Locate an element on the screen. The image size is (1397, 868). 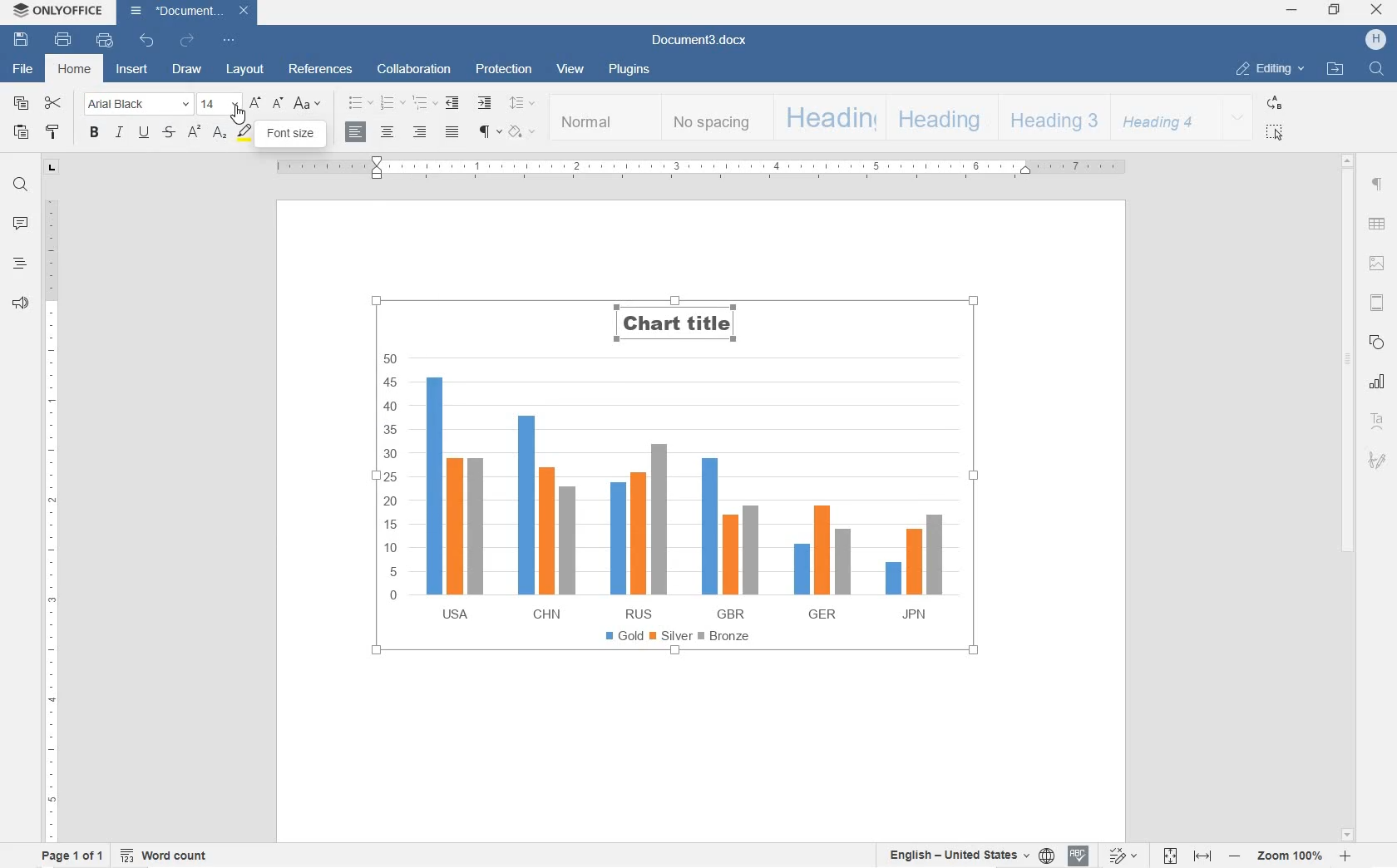
COPY STYLE is located at coordinates (53, 133).